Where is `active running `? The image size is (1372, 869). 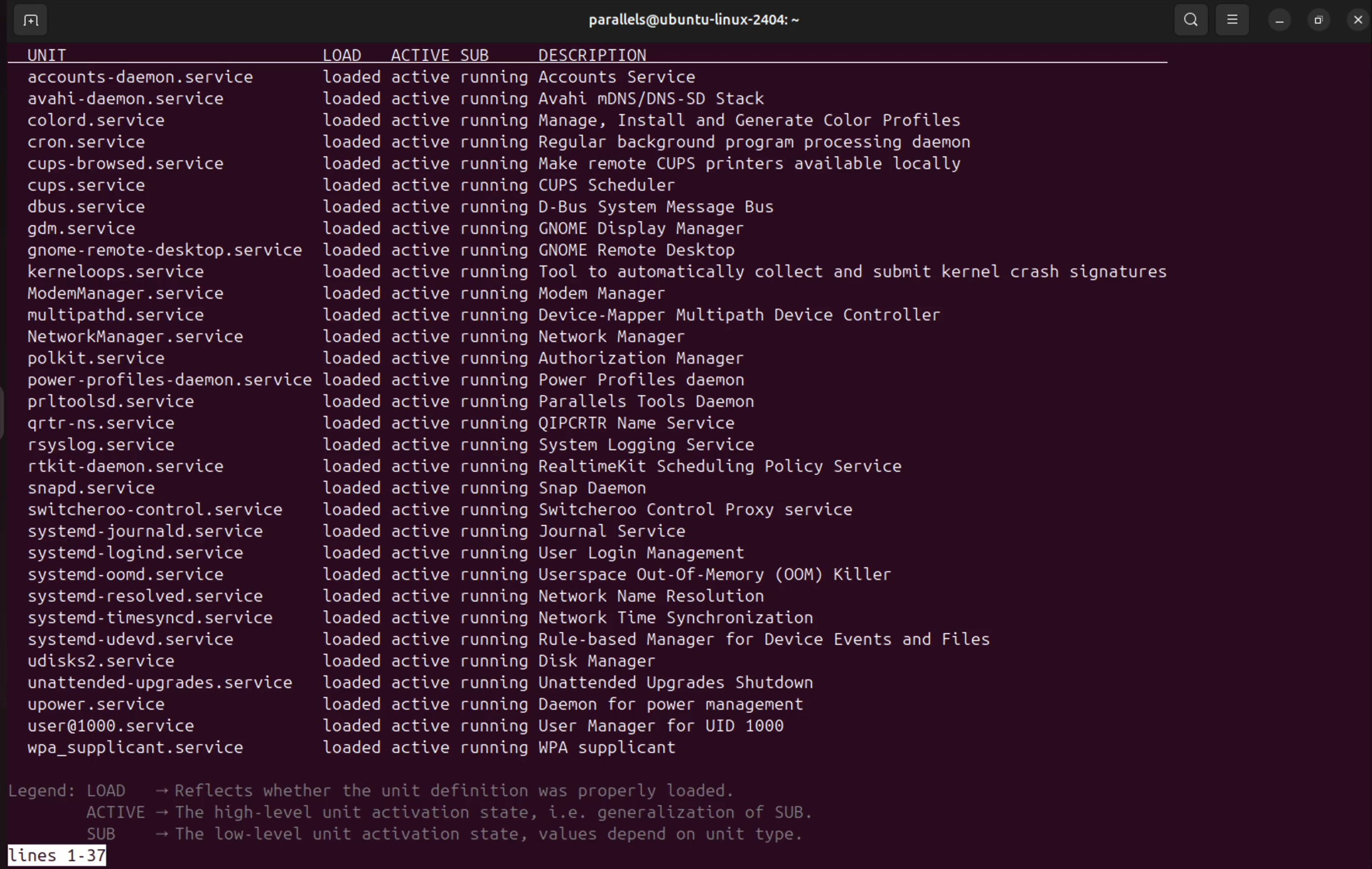 active running  is located at coordinates (674, 315).